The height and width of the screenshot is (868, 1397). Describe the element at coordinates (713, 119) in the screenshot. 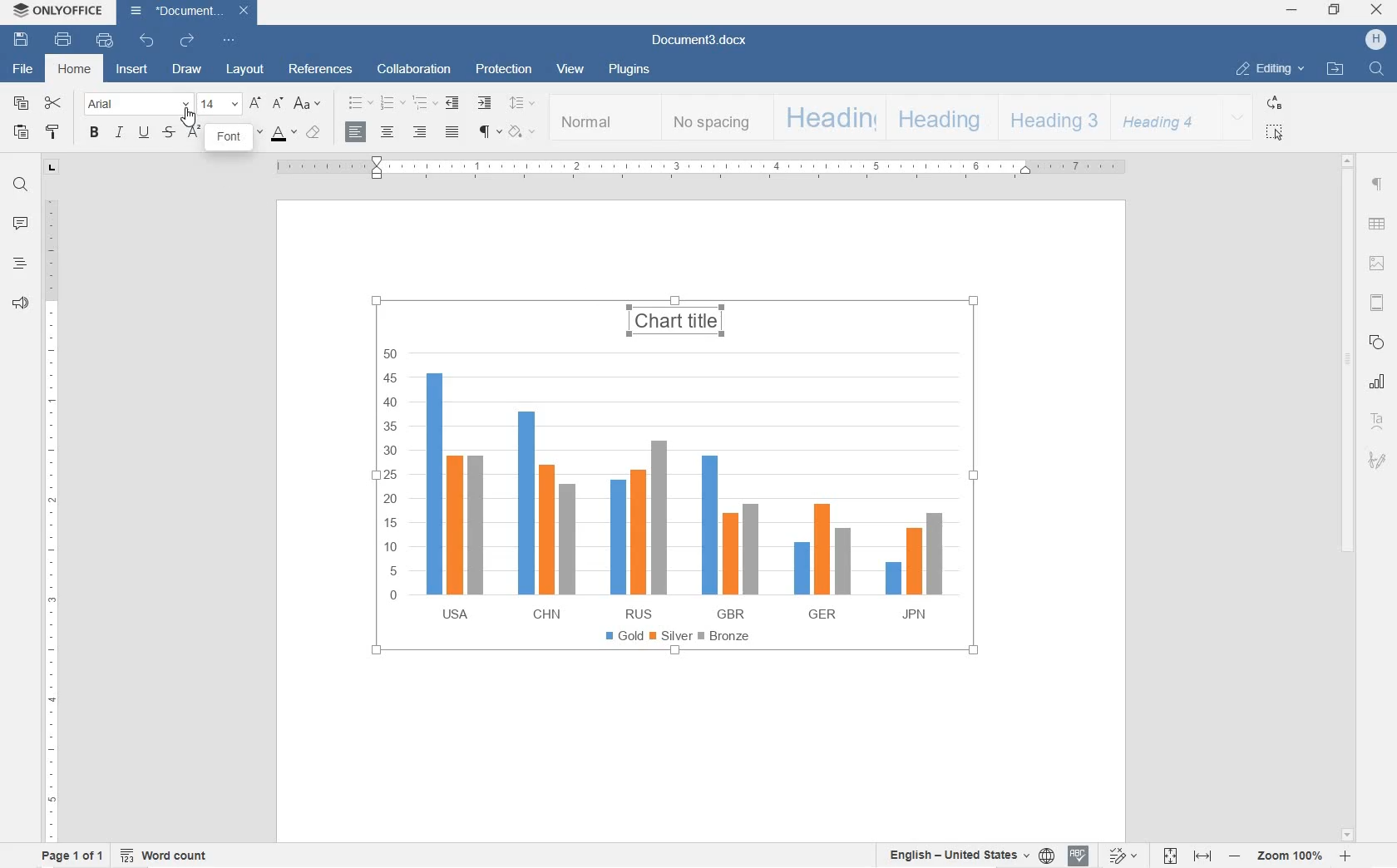

I see `NO SPACING` at that location.